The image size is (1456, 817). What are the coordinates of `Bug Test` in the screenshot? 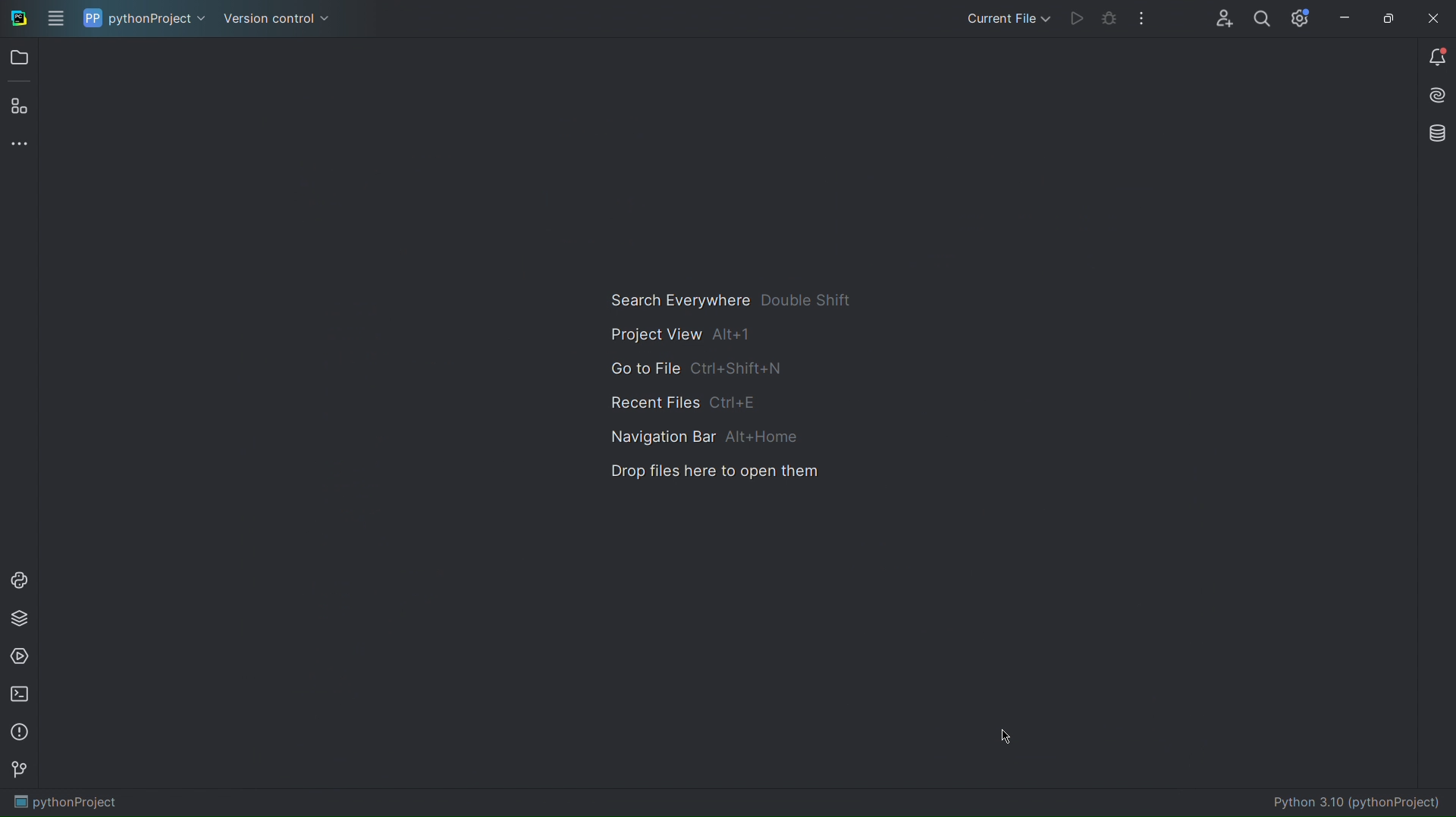 It's located at (1110, 21).